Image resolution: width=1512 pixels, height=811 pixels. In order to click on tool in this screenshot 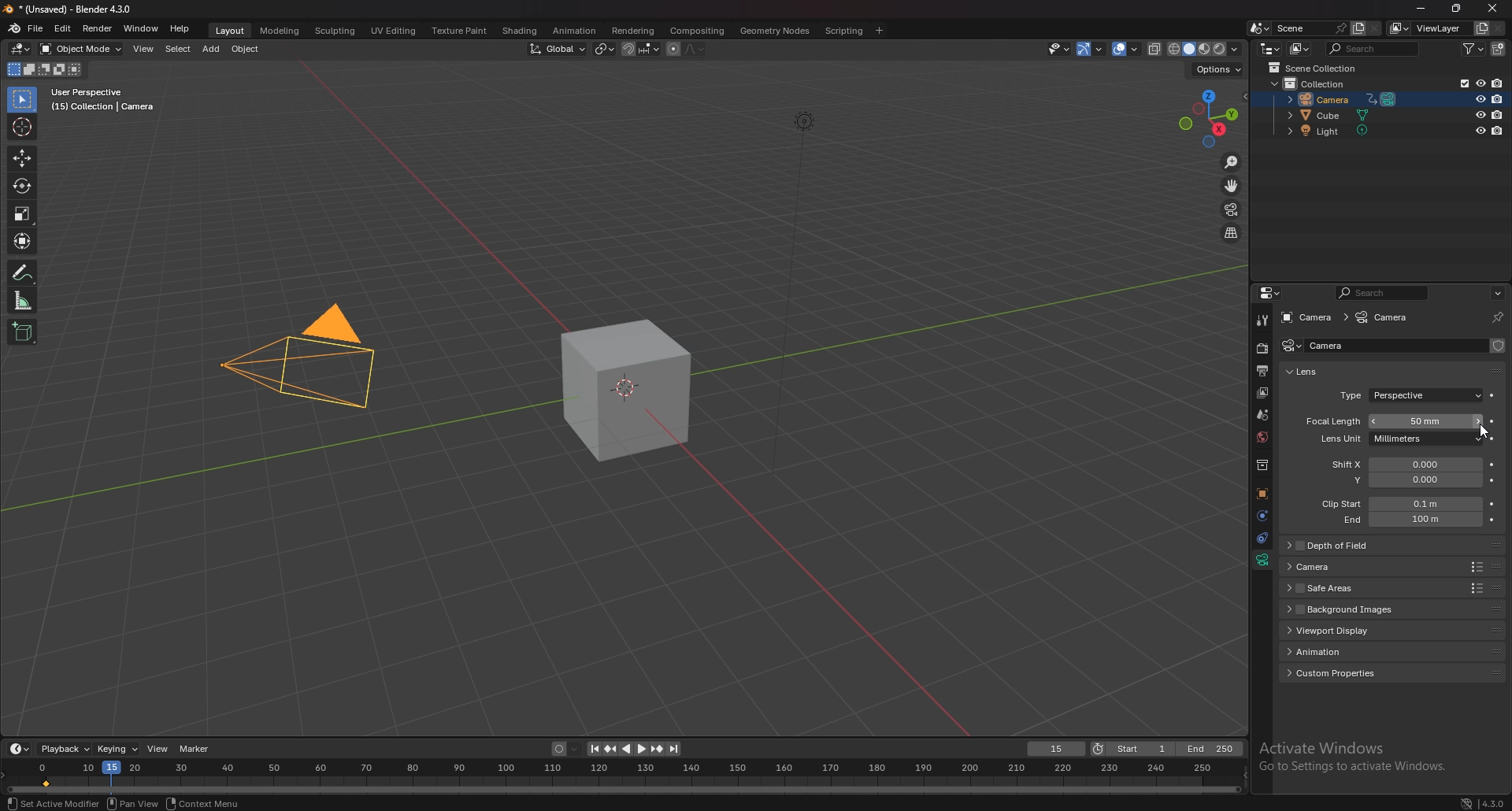, I will do `click(1262, 320)`.